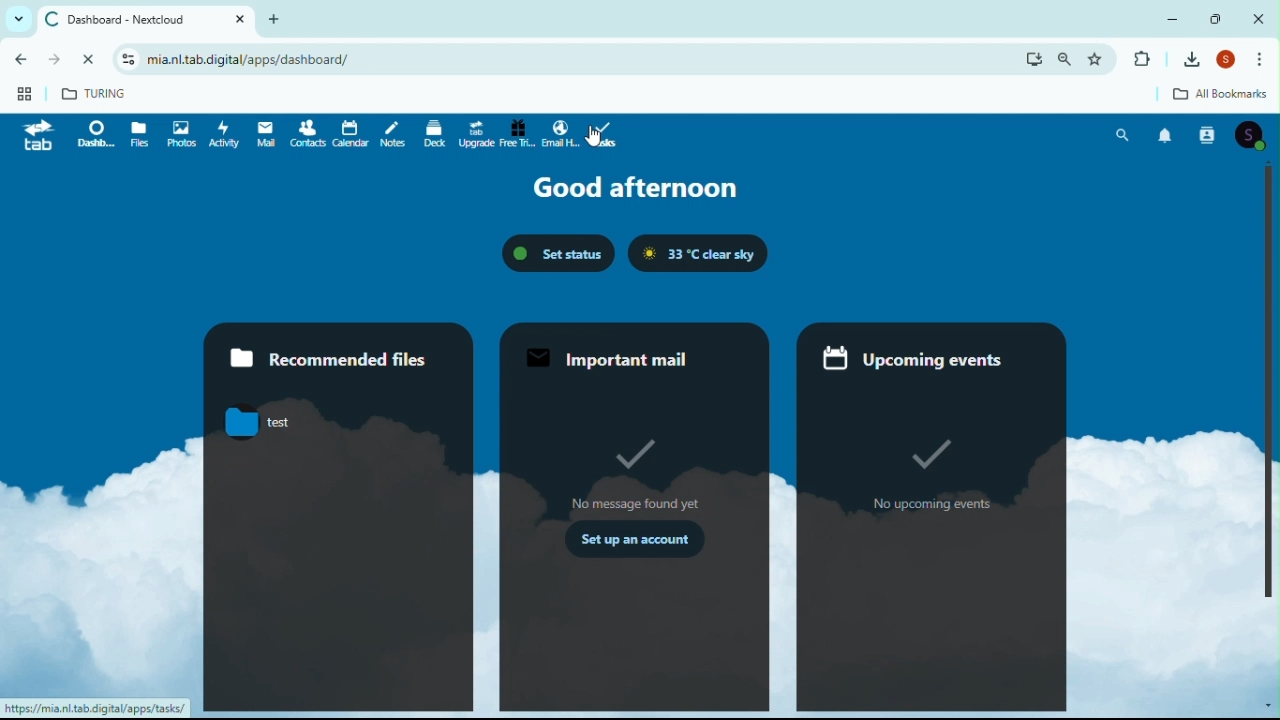  Describe the element at coordinates (18, 19) in the screenshot. I see `List all tabs` at that location.